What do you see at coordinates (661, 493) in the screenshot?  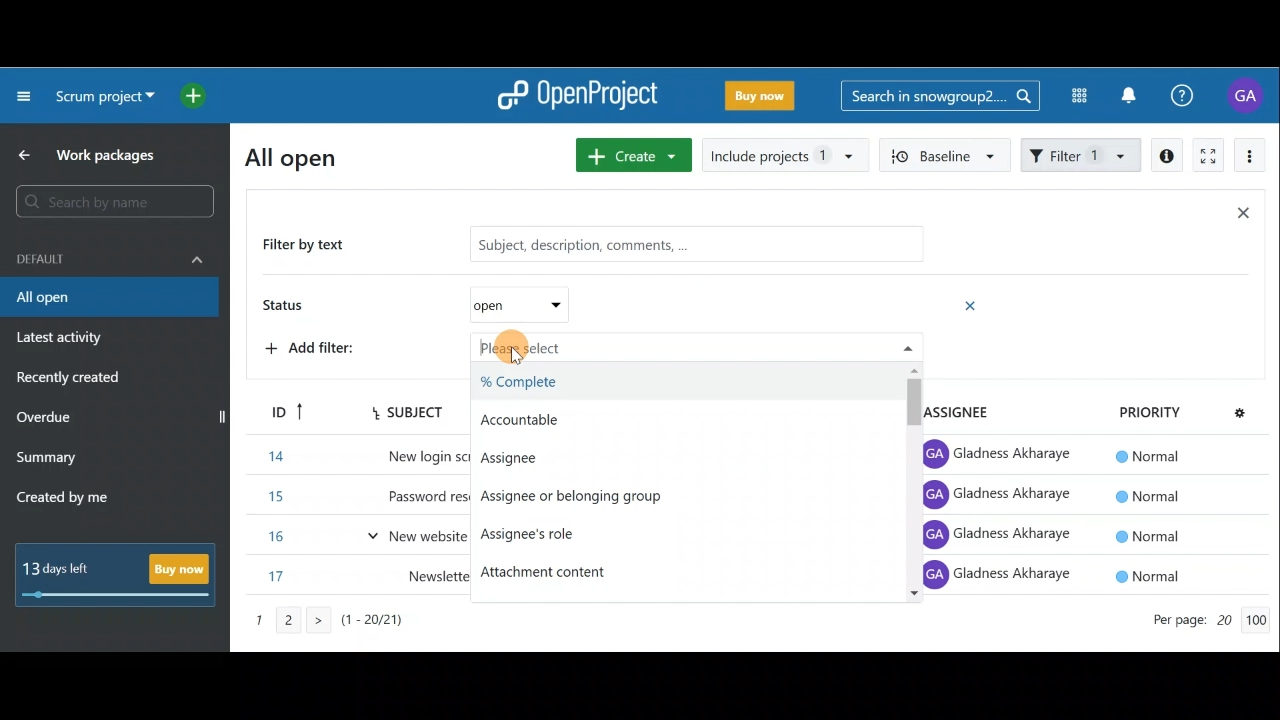 I see `Assignee or belonging group` at bounding box center [661, 493].